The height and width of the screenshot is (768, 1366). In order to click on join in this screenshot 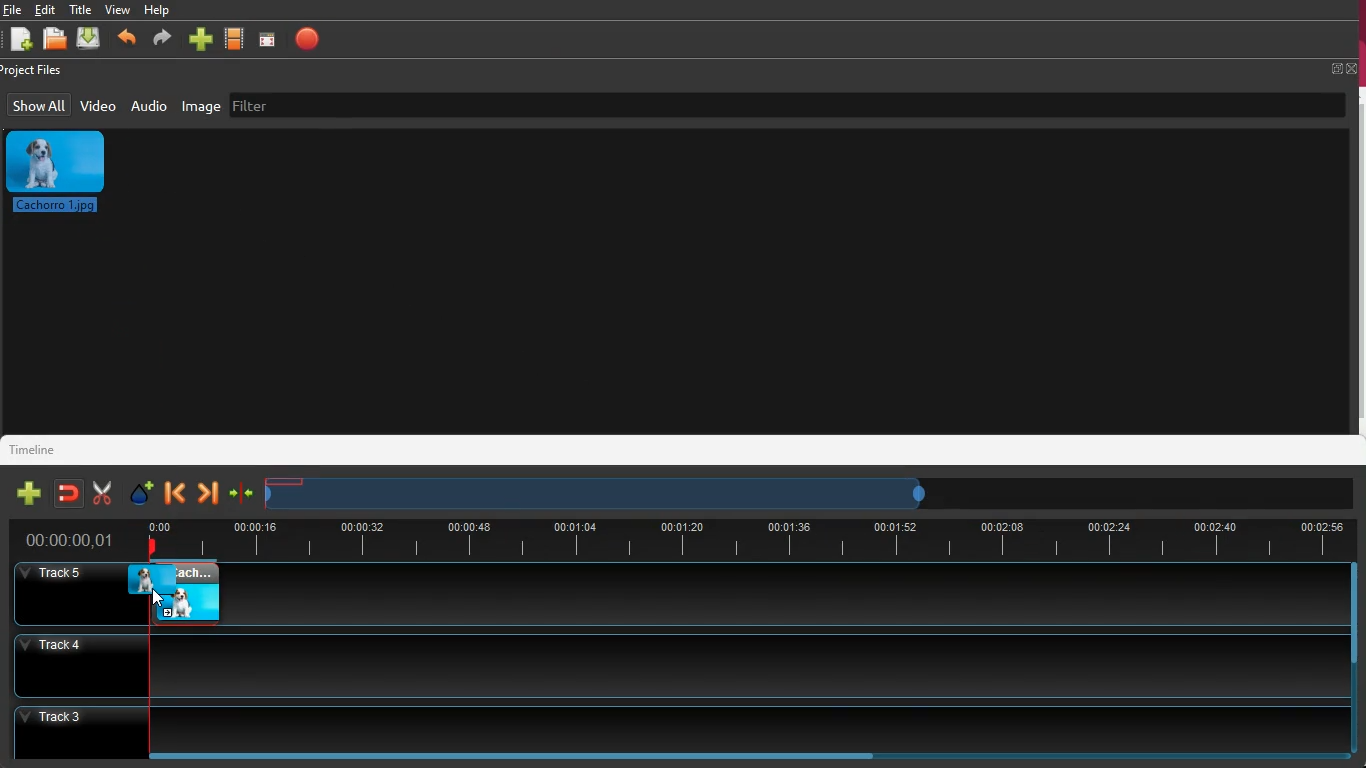, I will do `click(242, 493)`.